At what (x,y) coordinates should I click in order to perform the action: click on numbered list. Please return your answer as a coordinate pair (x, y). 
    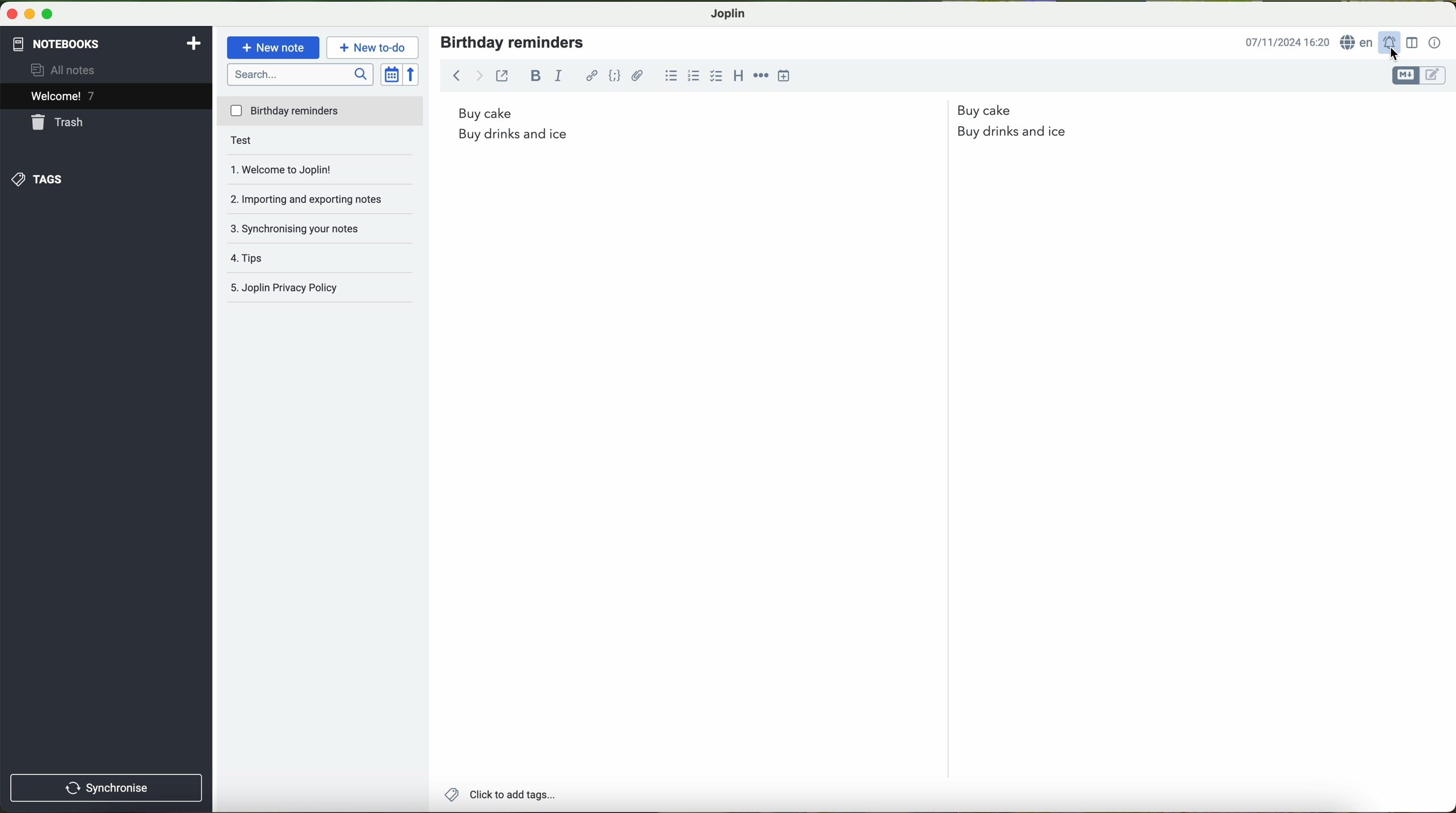
    Looking at the image, I should click on (692, 75).